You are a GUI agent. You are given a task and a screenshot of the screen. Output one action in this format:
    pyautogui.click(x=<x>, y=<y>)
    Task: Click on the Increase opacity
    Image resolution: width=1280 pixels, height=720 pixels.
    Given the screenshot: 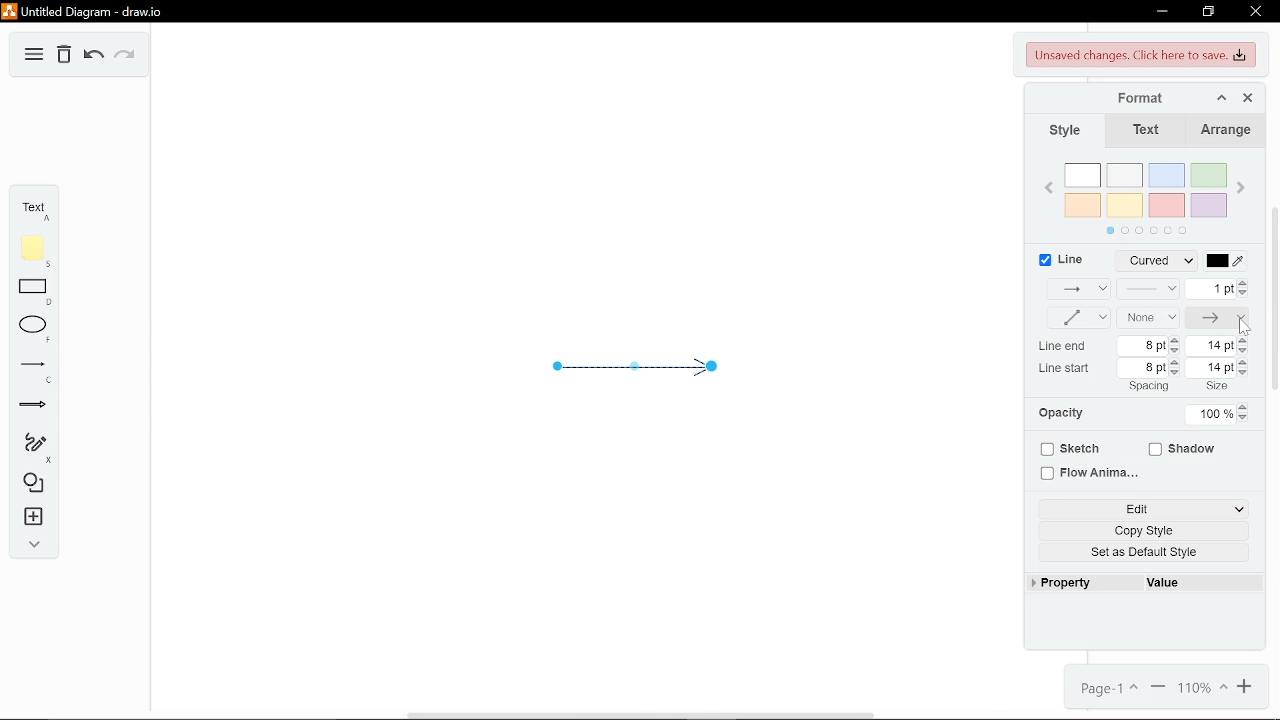 What is the action you would take?
    pyautogui.click(x=1244, y=407)
    